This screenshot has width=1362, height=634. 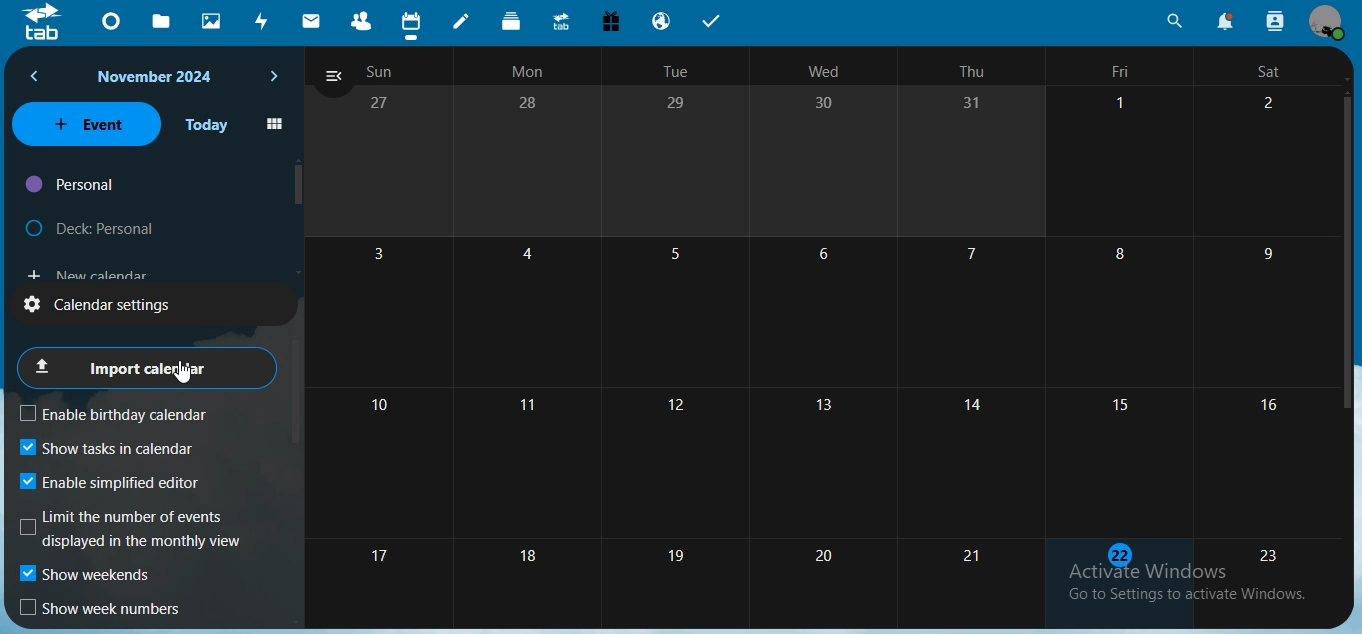 I want to click on event, so click(x=86, y=123).